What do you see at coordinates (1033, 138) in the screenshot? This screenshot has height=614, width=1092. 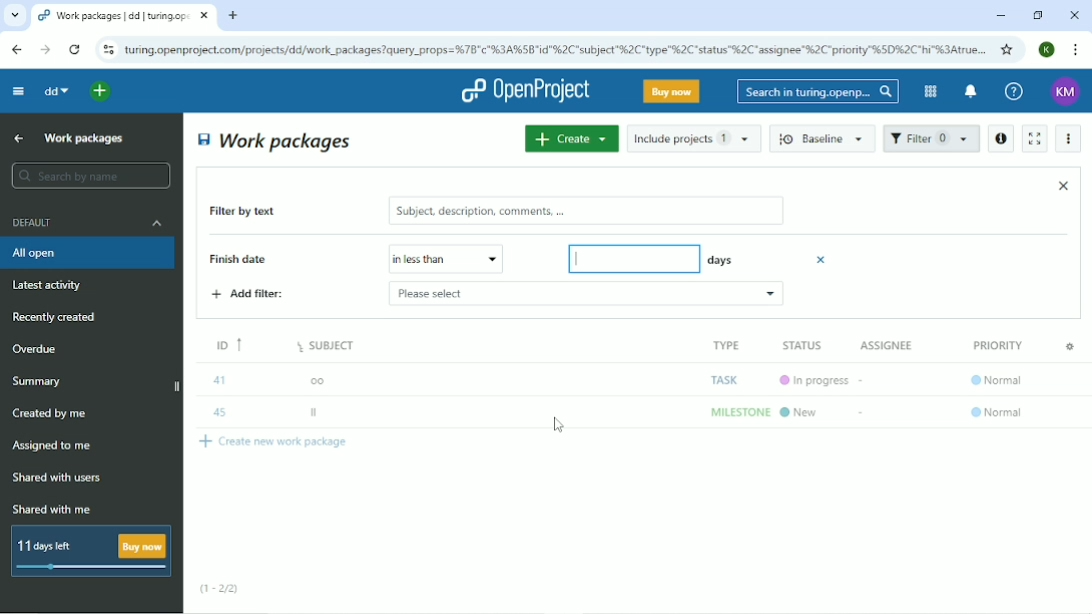 I see `Activate zen mode` at bounding box center [1033, 138].